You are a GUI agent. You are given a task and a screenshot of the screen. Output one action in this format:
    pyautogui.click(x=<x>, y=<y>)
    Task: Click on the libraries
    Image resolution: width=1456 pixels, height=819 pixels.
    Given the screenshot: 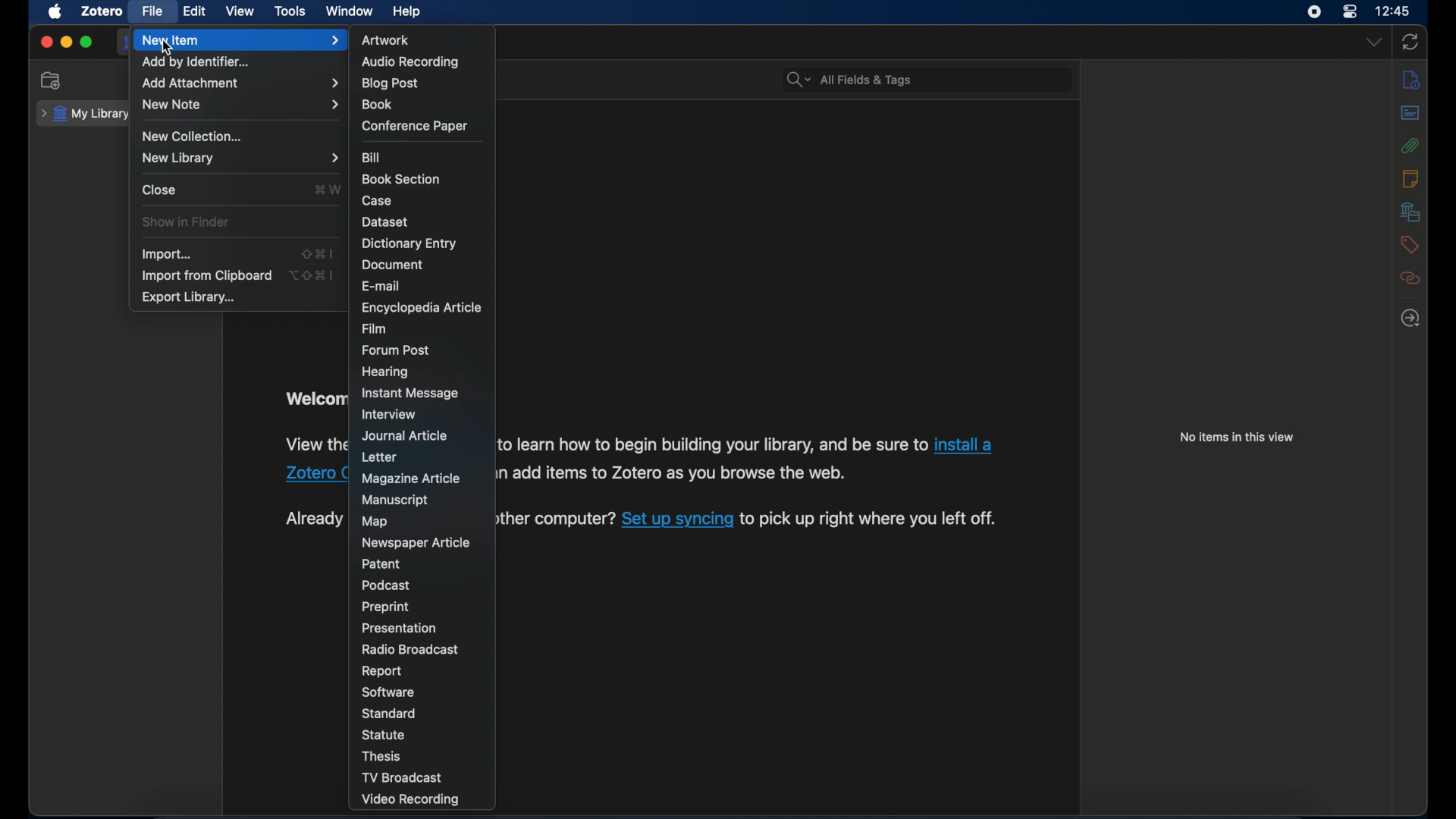 What is the action you would take?
    pyautogui.click(x=1410, y=212)
    